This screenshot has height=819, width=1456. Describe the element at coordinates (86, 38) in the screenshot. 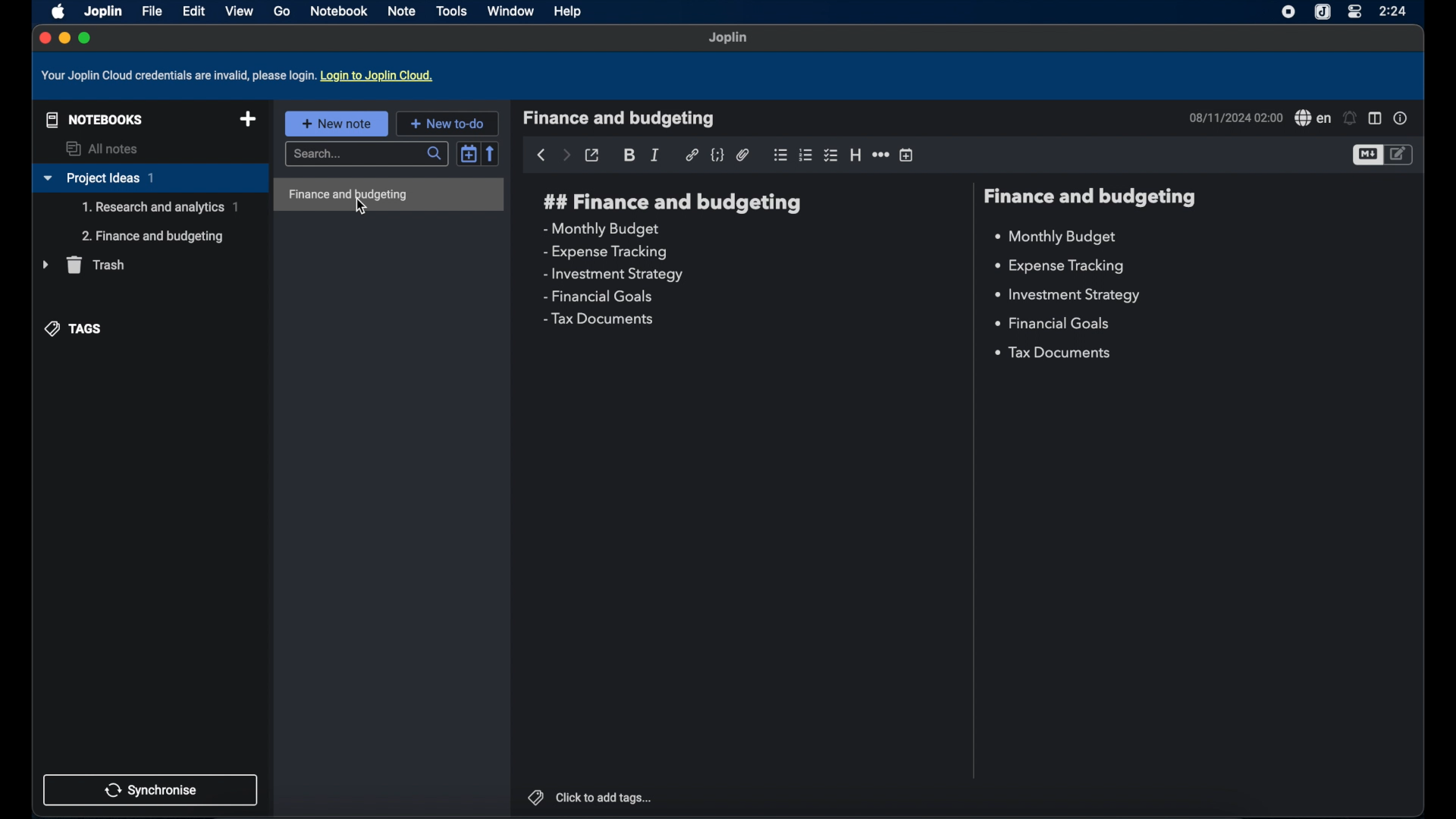

I see `maximize` at that location.